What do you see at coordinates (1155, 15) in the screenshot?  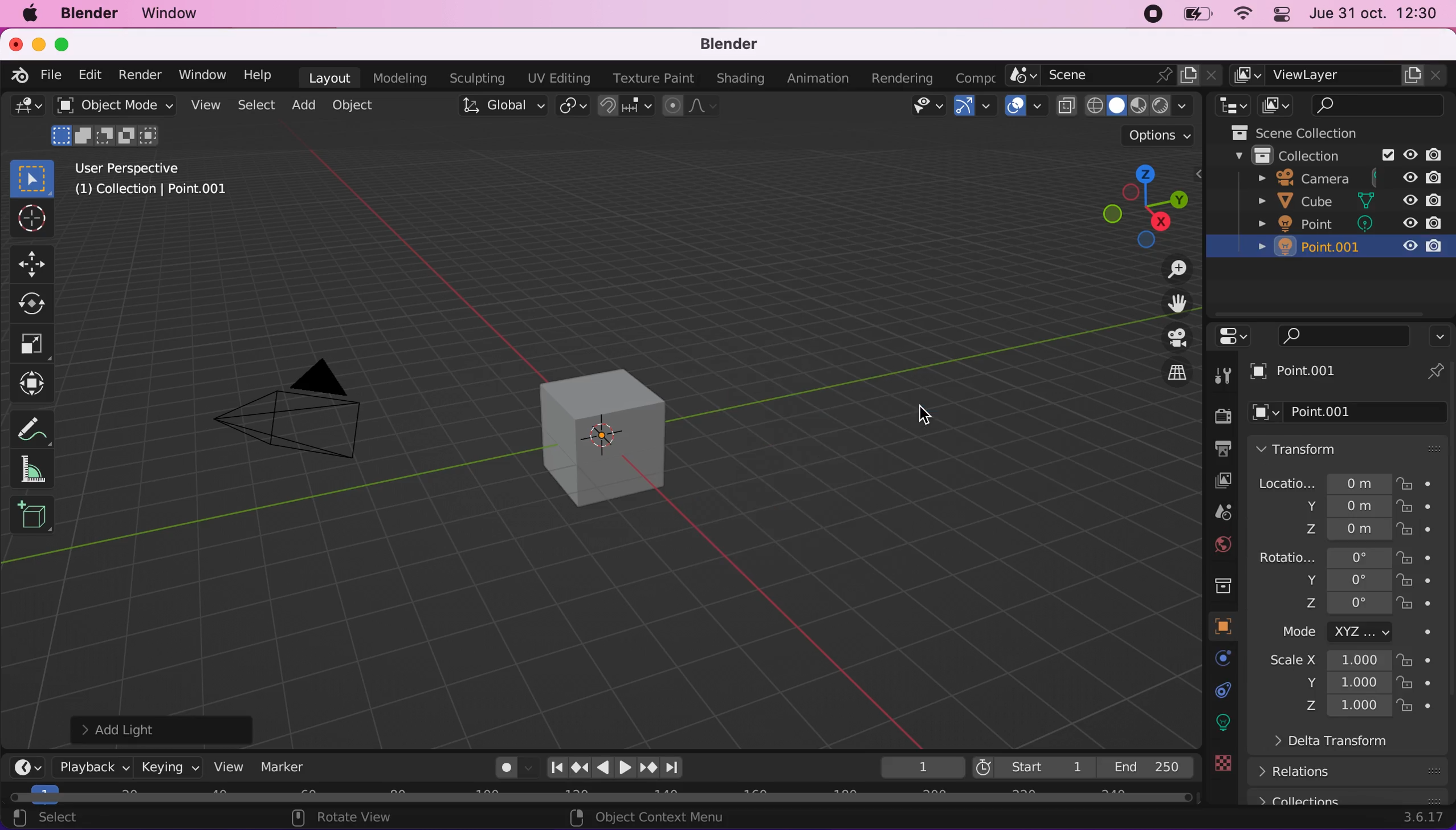 I see `recording stopped` at bounding box center [1155, 15].